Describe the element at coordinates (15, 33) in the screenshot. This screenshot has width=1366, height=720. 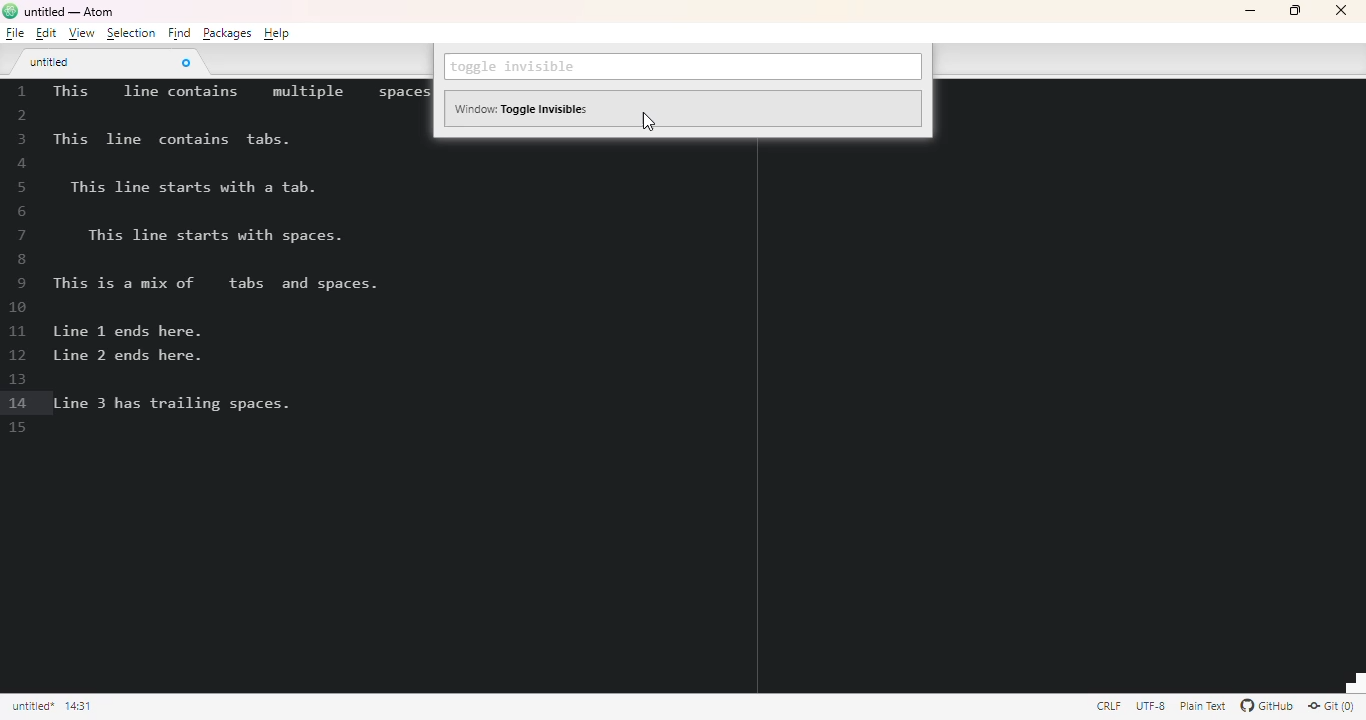
I see `file` at that location.